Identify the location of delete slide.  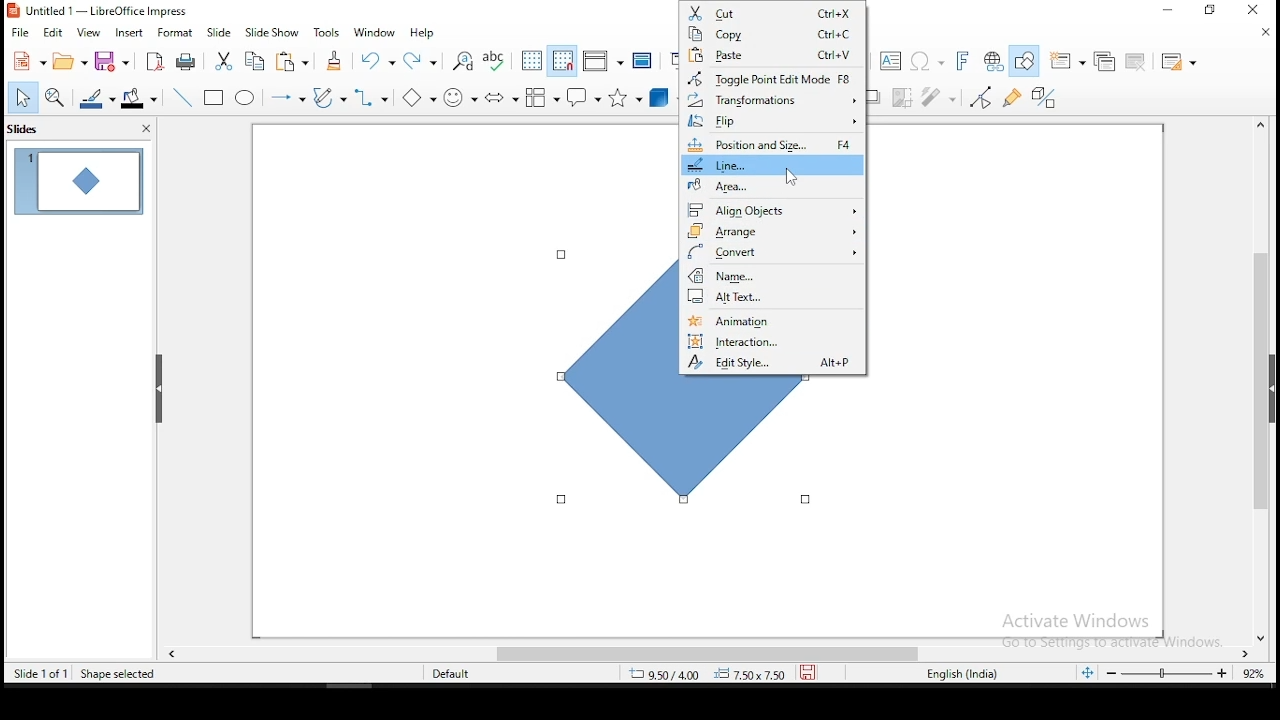
(1137, 63).